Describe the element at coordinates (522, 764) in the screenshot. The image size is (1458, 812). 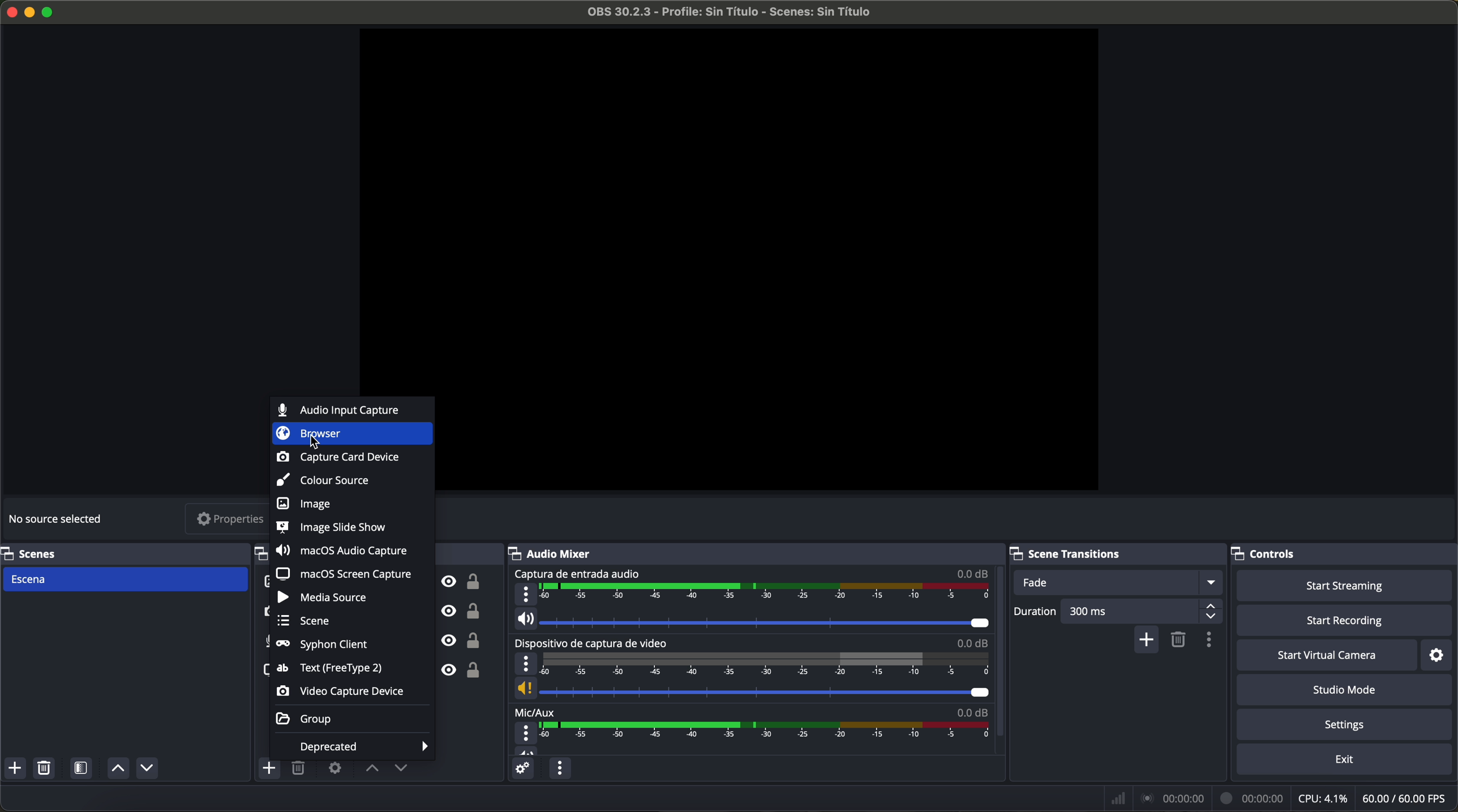
I see `advanced audio properties` at that location.